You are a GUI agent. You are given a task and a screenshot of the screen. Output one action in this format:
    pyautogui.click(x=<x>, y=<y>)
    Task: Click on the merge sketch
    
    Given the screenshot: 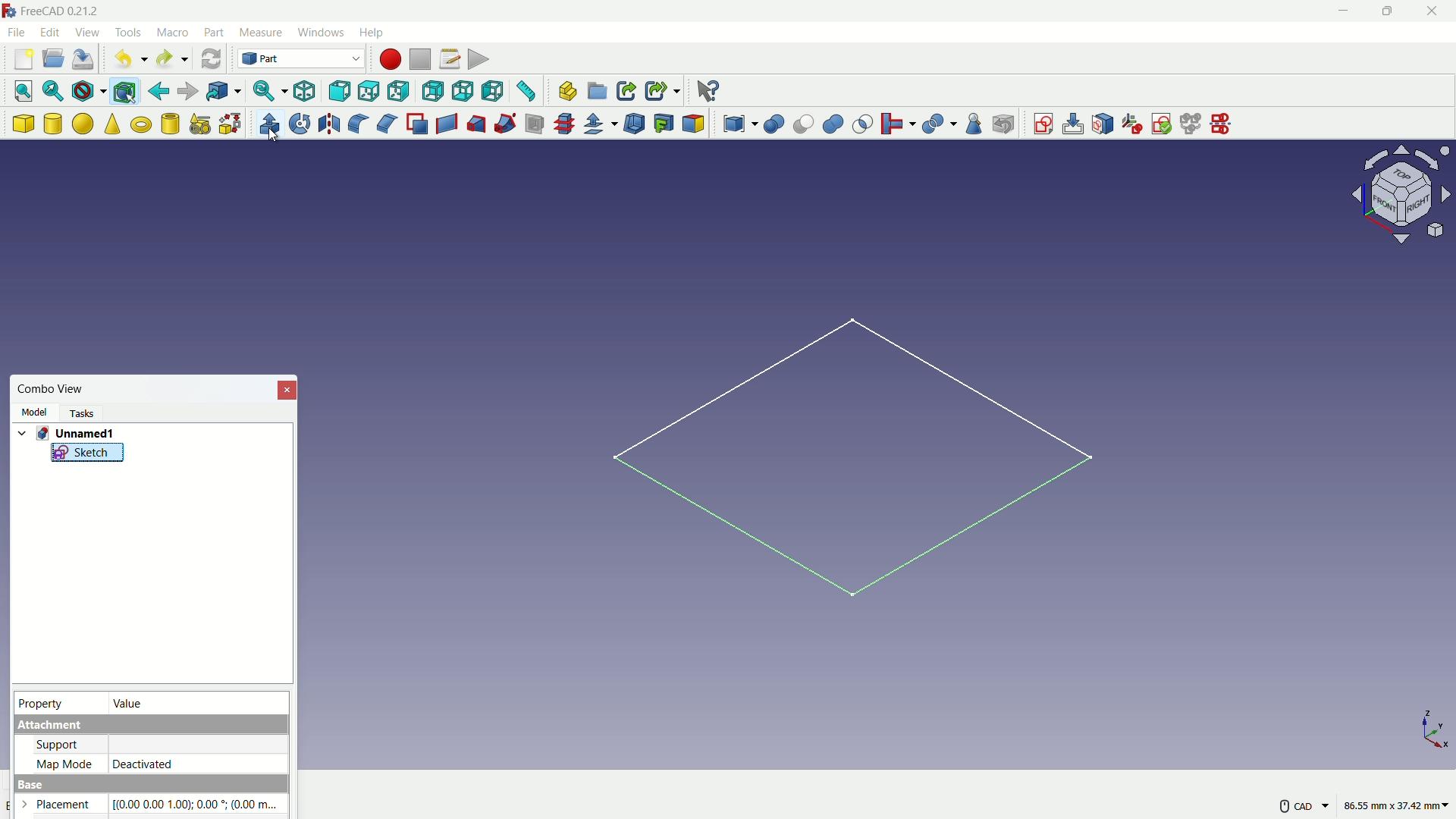 What is the action you would take?
    pyautogui.click(x=1191, y=123)
    